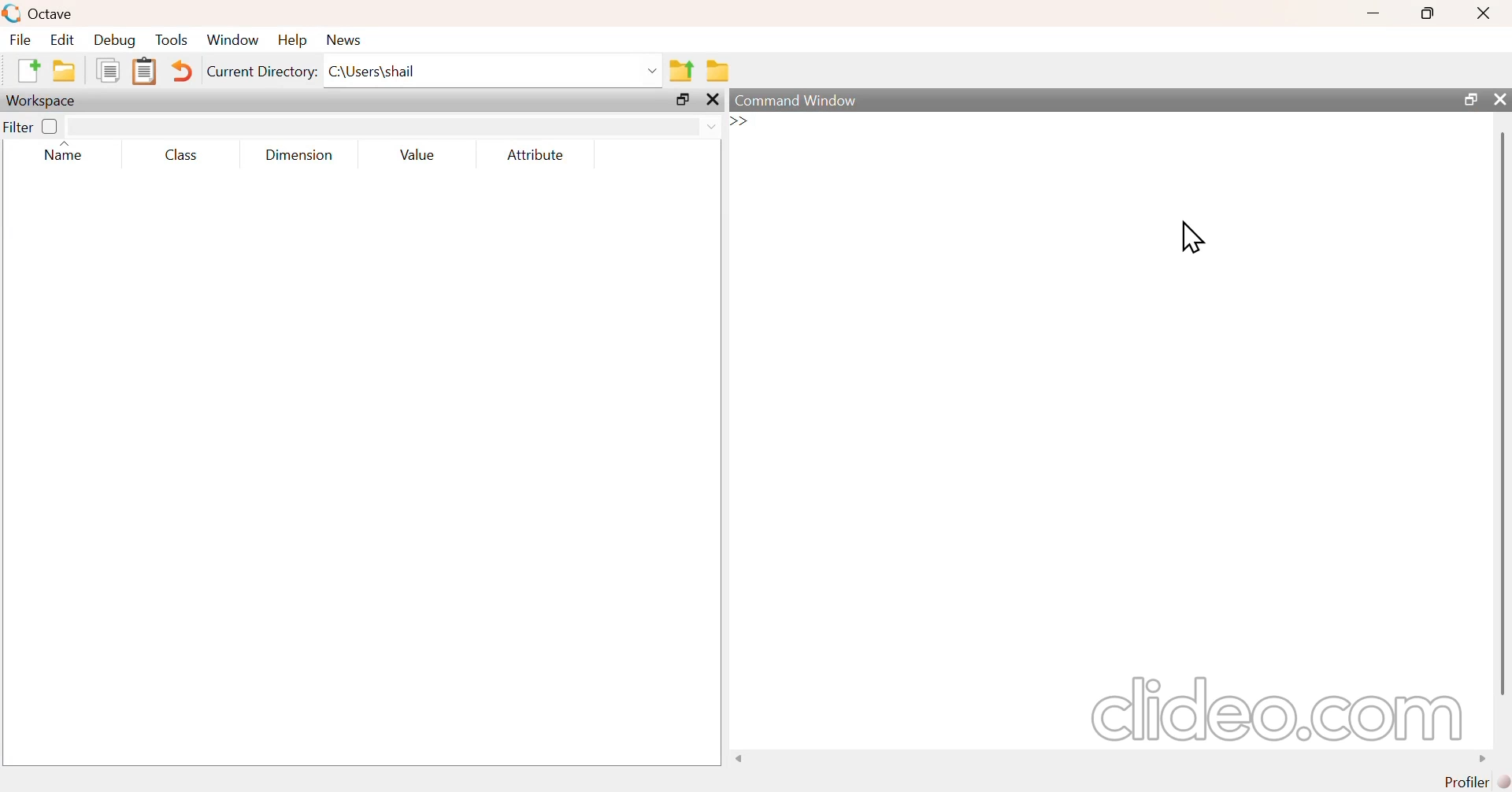 This screenshot has height=792, width=1512. I want to click on open an existing file in editor, so click(65, 71).